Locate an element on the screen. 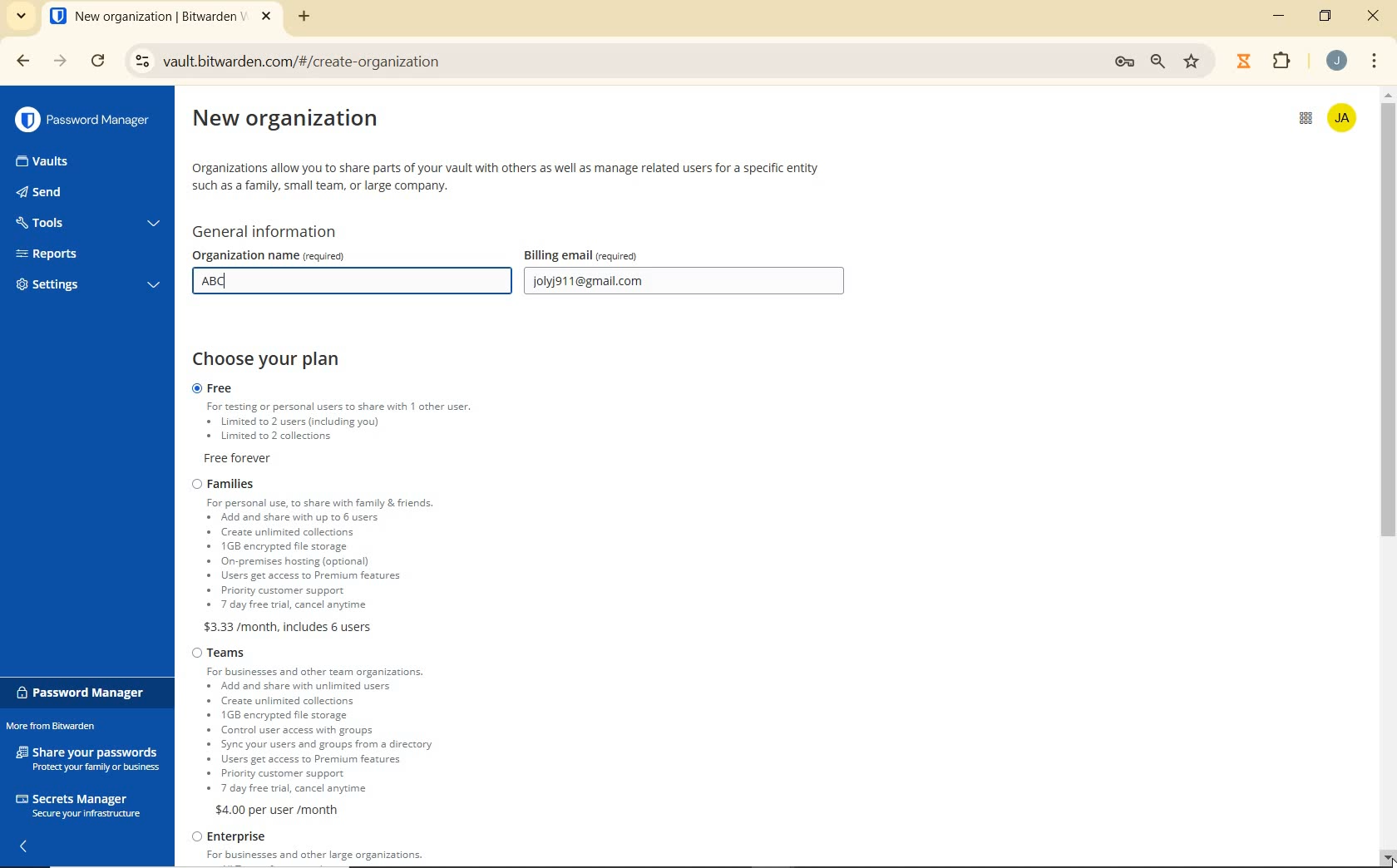 This screenshot has height=868, width=1397. password manager is located at coordinates (84, 693).